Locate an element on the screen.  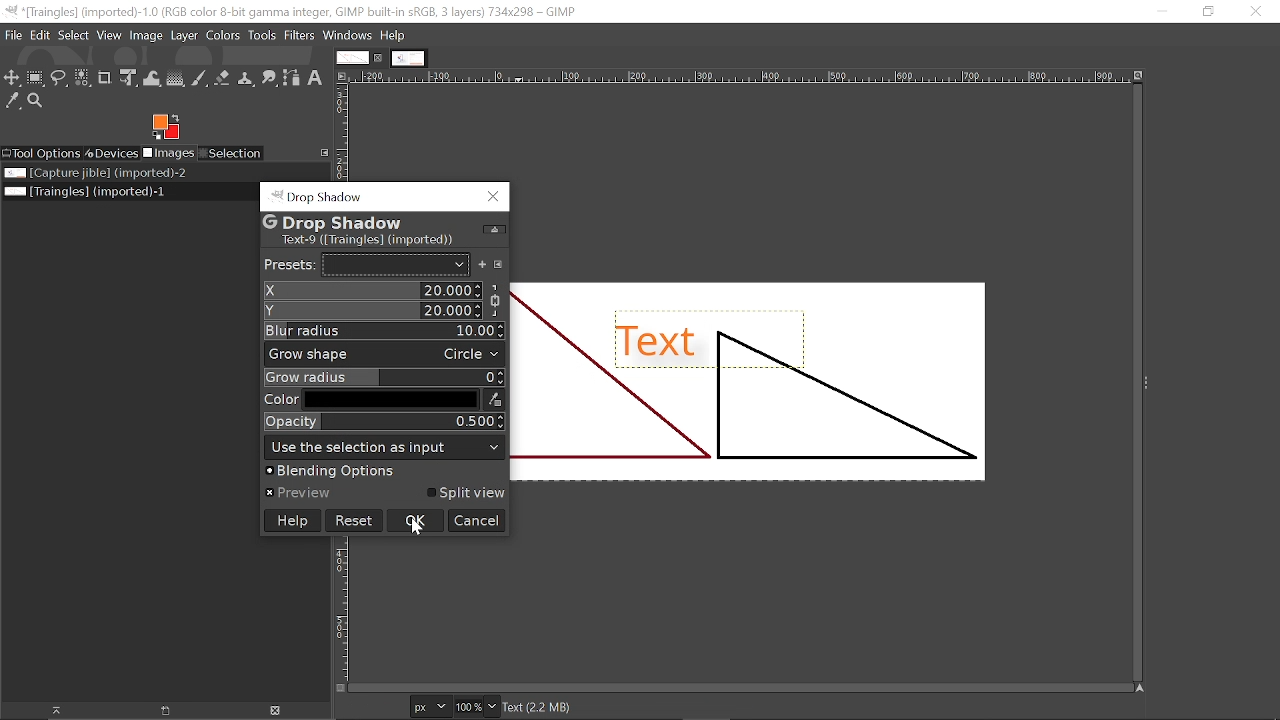
Horizontal shadow effect is located at coordinates (373, 291).